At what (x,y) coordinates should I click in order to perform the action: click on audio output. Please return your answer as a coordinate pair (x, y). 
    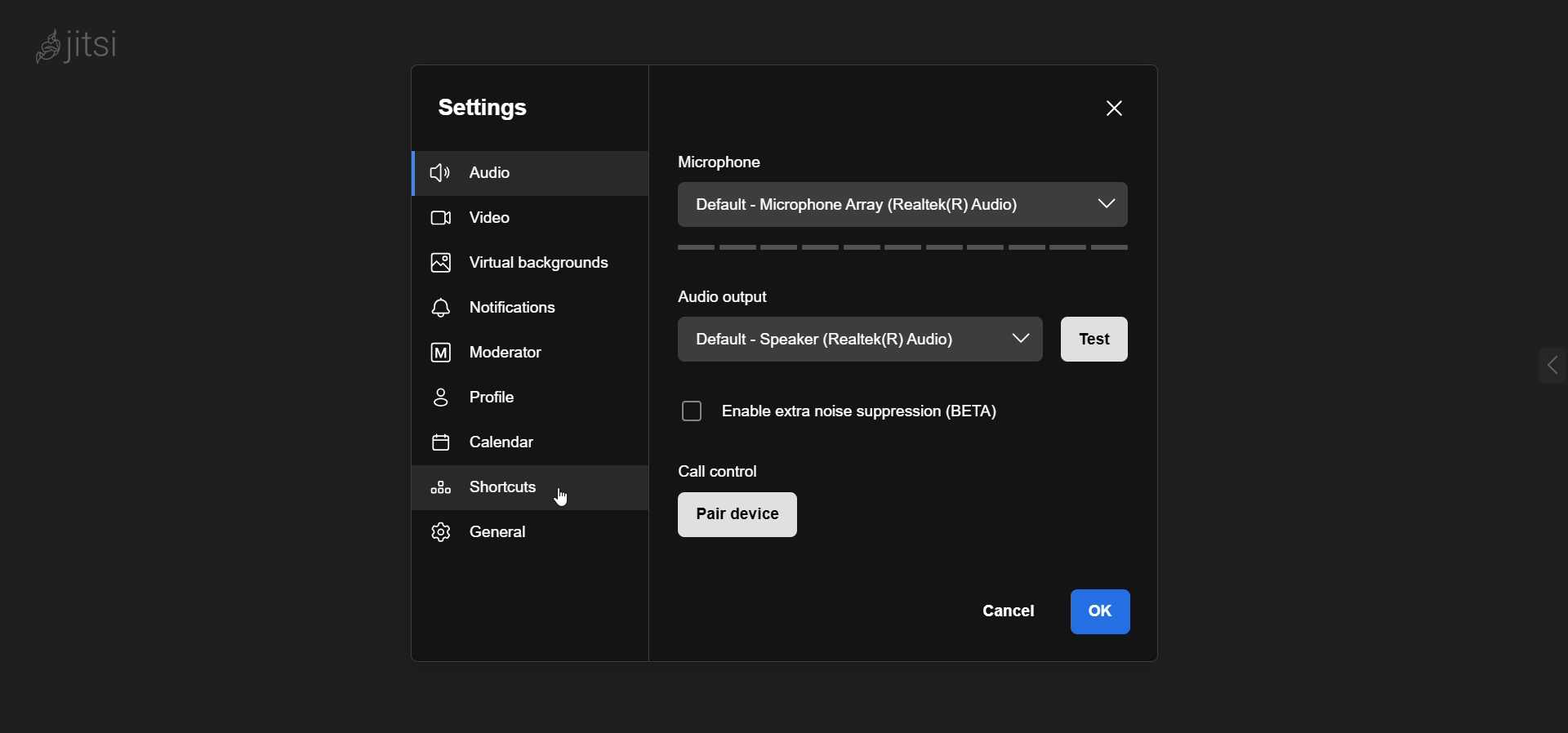
    Looking at the image, I should click on (733, 297).